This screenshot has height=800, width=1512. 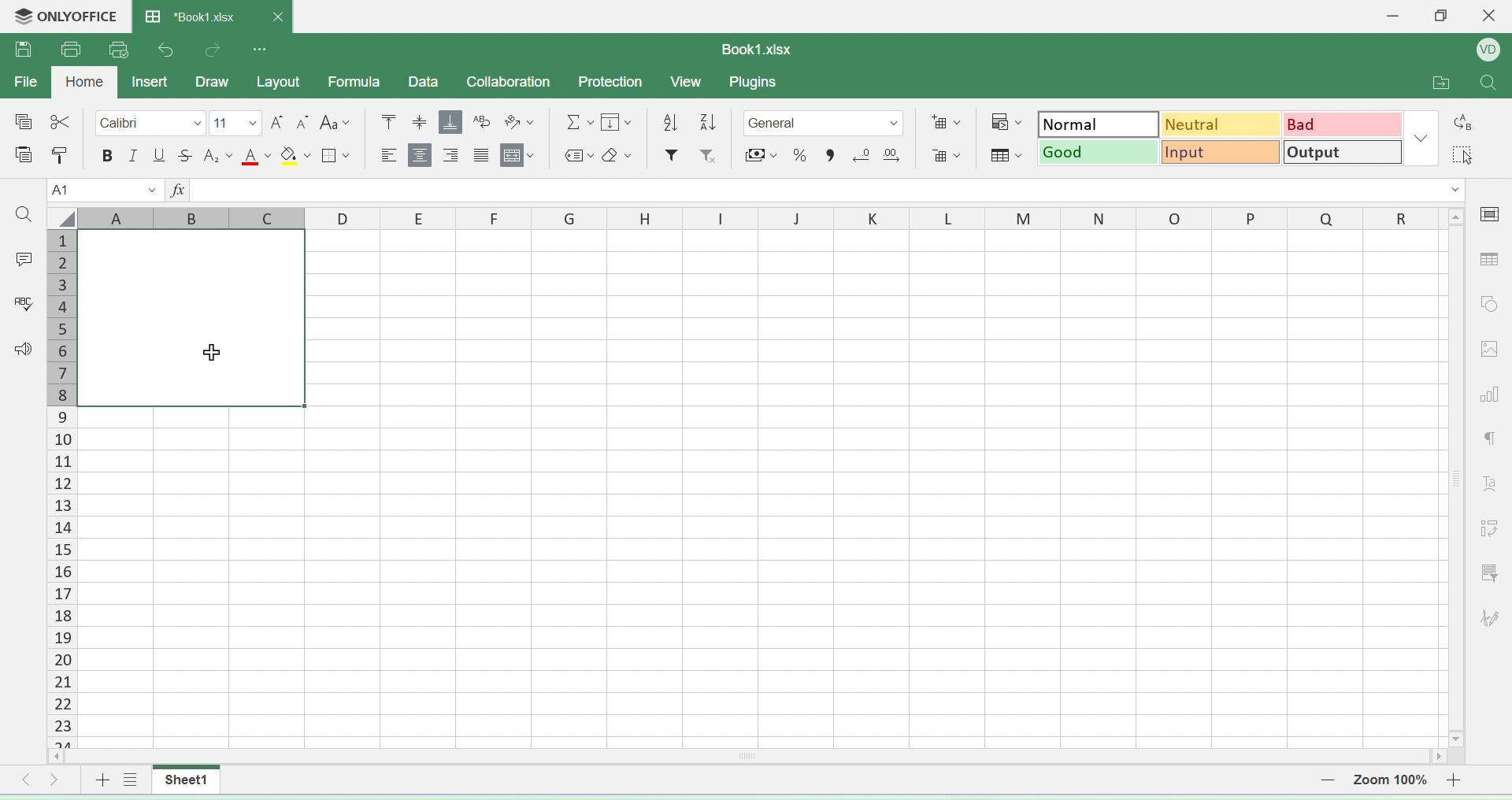 What do you see at coordinates (672, 155) in the screenshot?
I see `filter` at bounding box center [672, 155].